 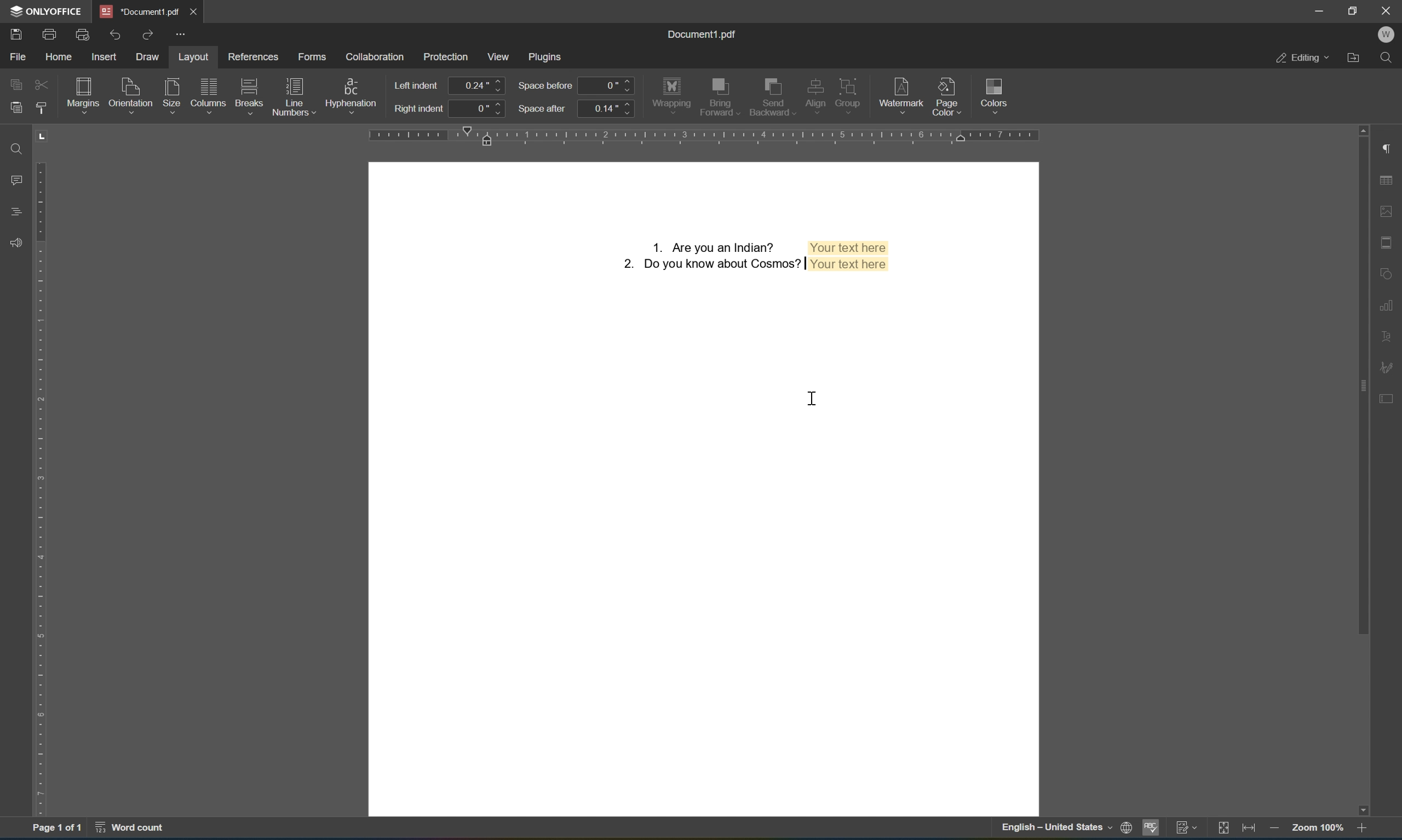 What do you see at coordinates (85, 93) in the screenshot?
I see `margins` at bounding box center [85, 93].